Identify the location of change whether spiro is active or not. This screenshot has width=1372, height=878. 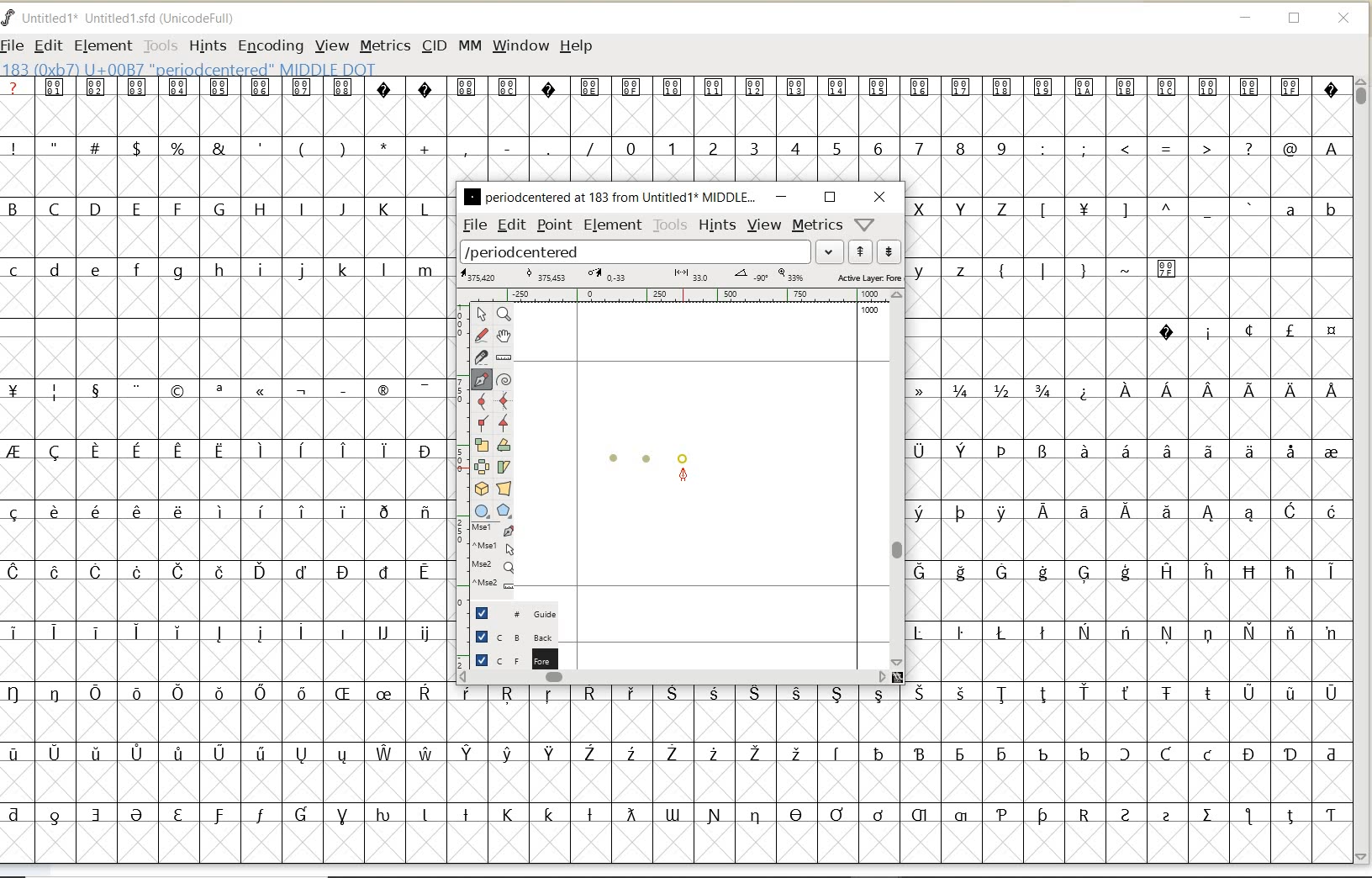
(504, 378).